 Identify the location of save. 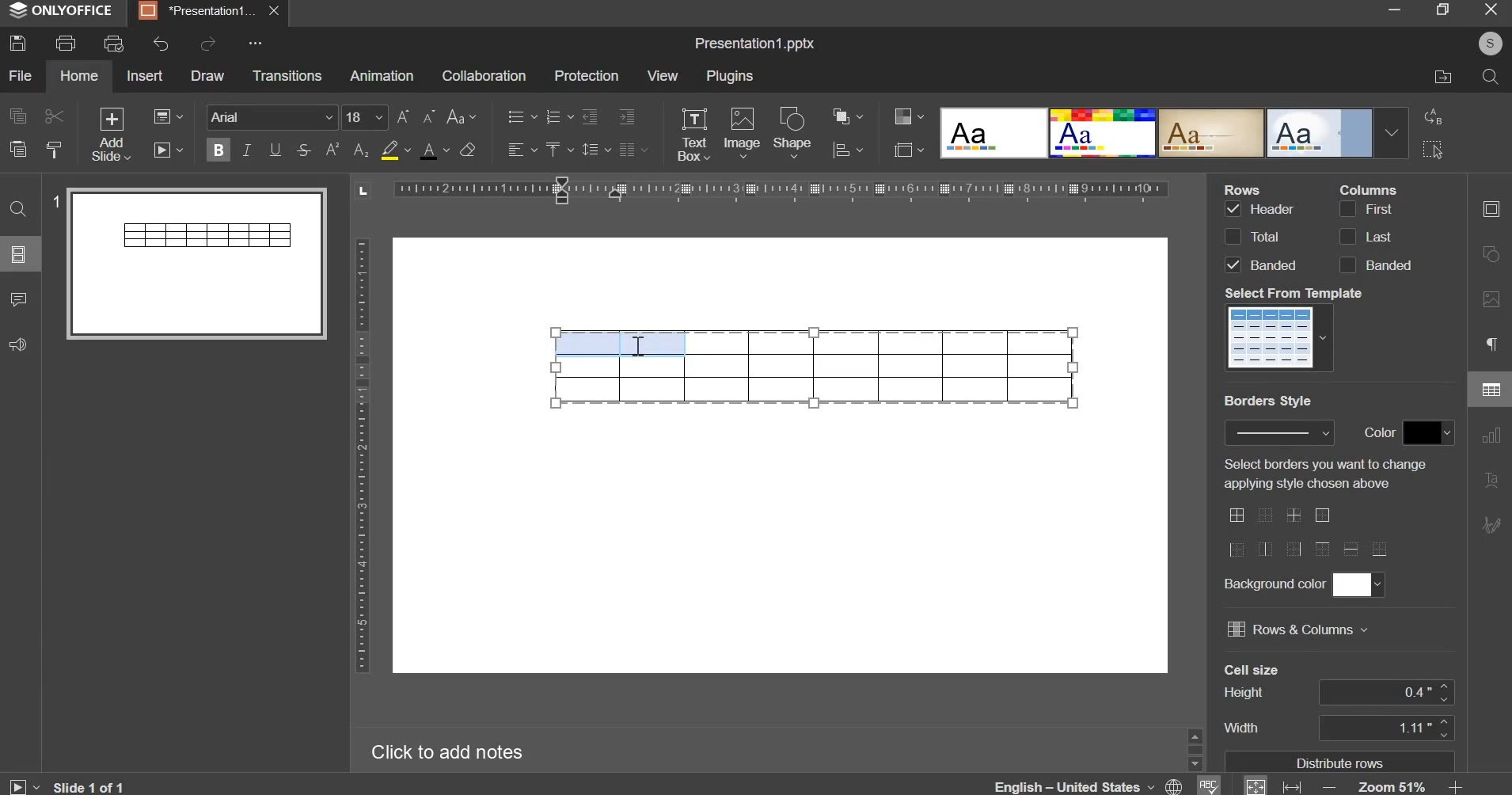
(17, 43).